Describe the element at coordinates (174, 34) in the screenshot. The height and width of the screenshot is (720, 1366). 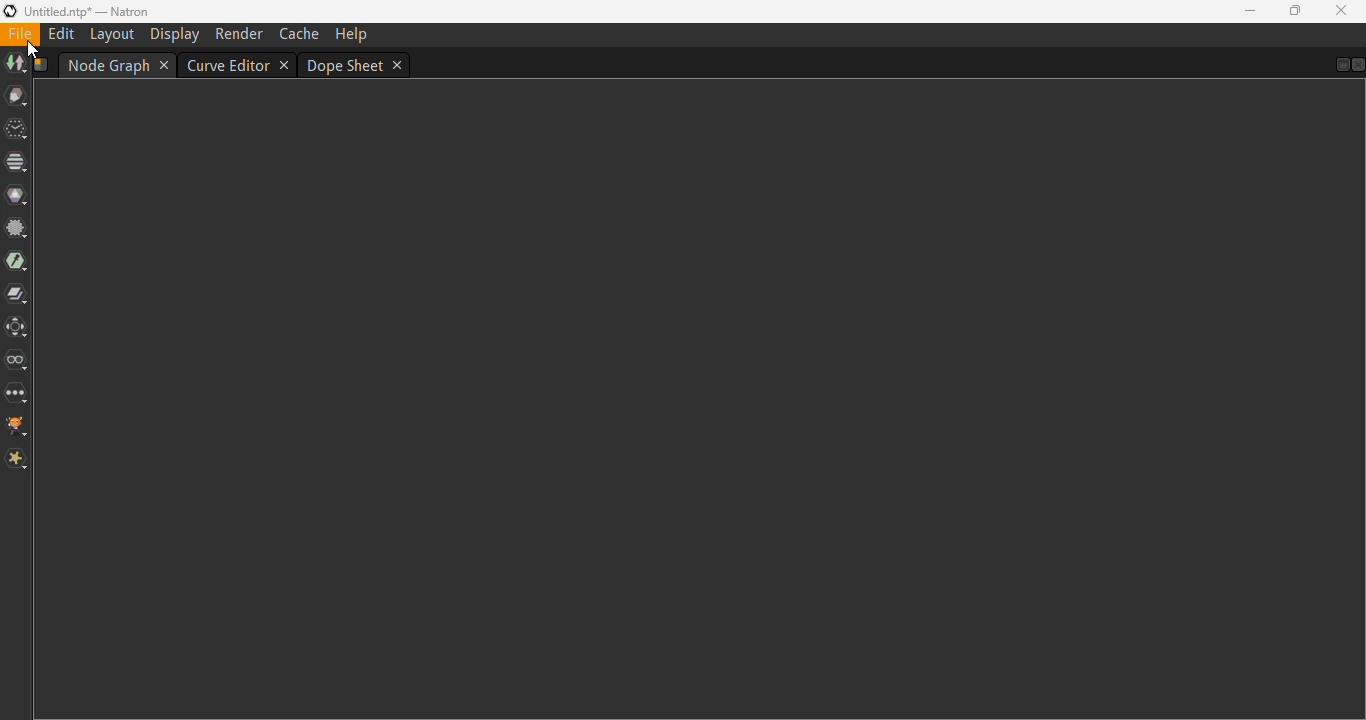
I see `display` at that location.